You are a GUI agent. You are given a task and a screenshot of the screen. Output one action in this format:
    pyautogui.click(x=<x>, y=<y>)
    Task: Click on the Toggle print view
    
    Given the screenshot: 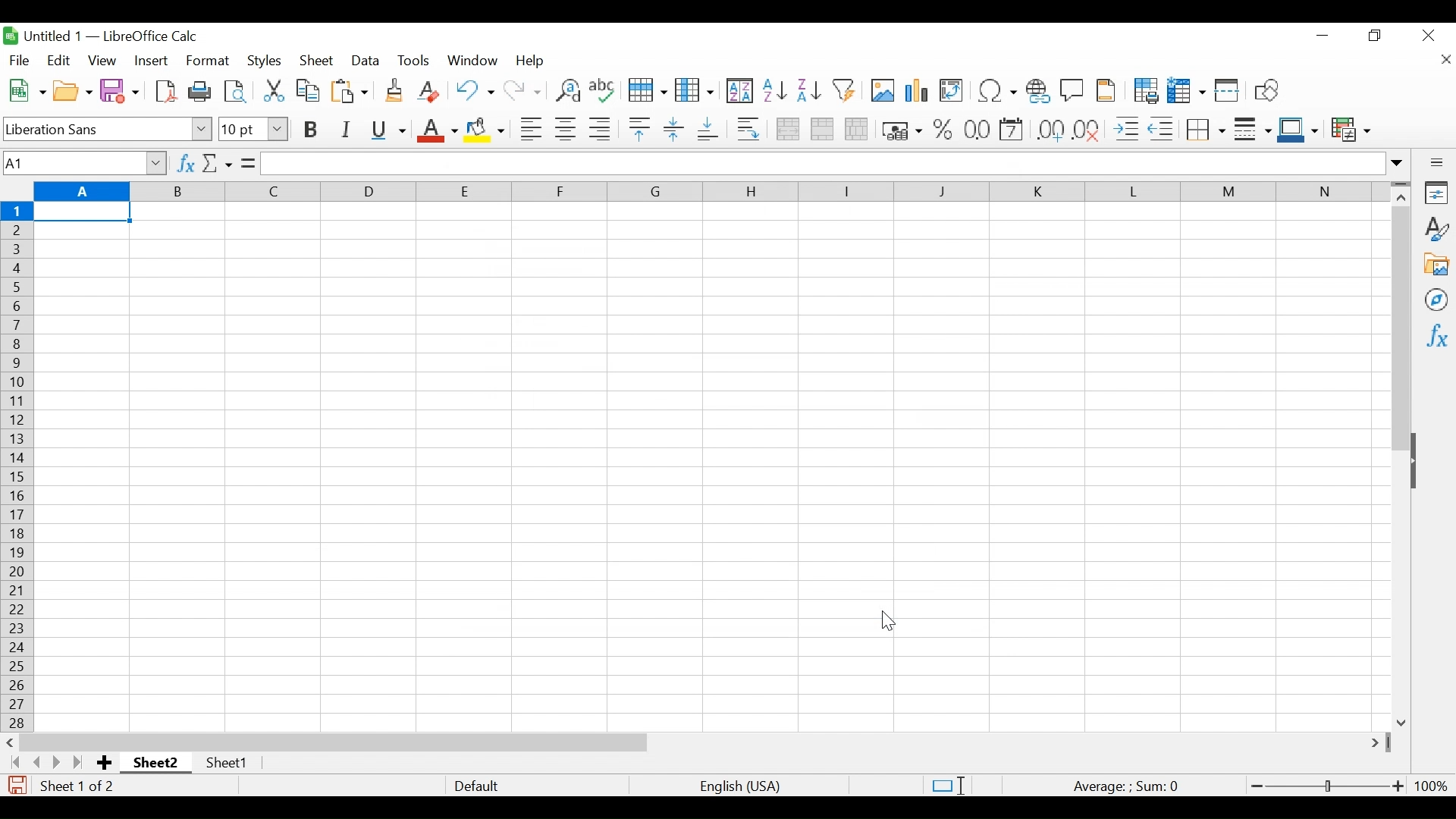 What is the action you would take?
    pyautogui.click(x=236, y=89)
    